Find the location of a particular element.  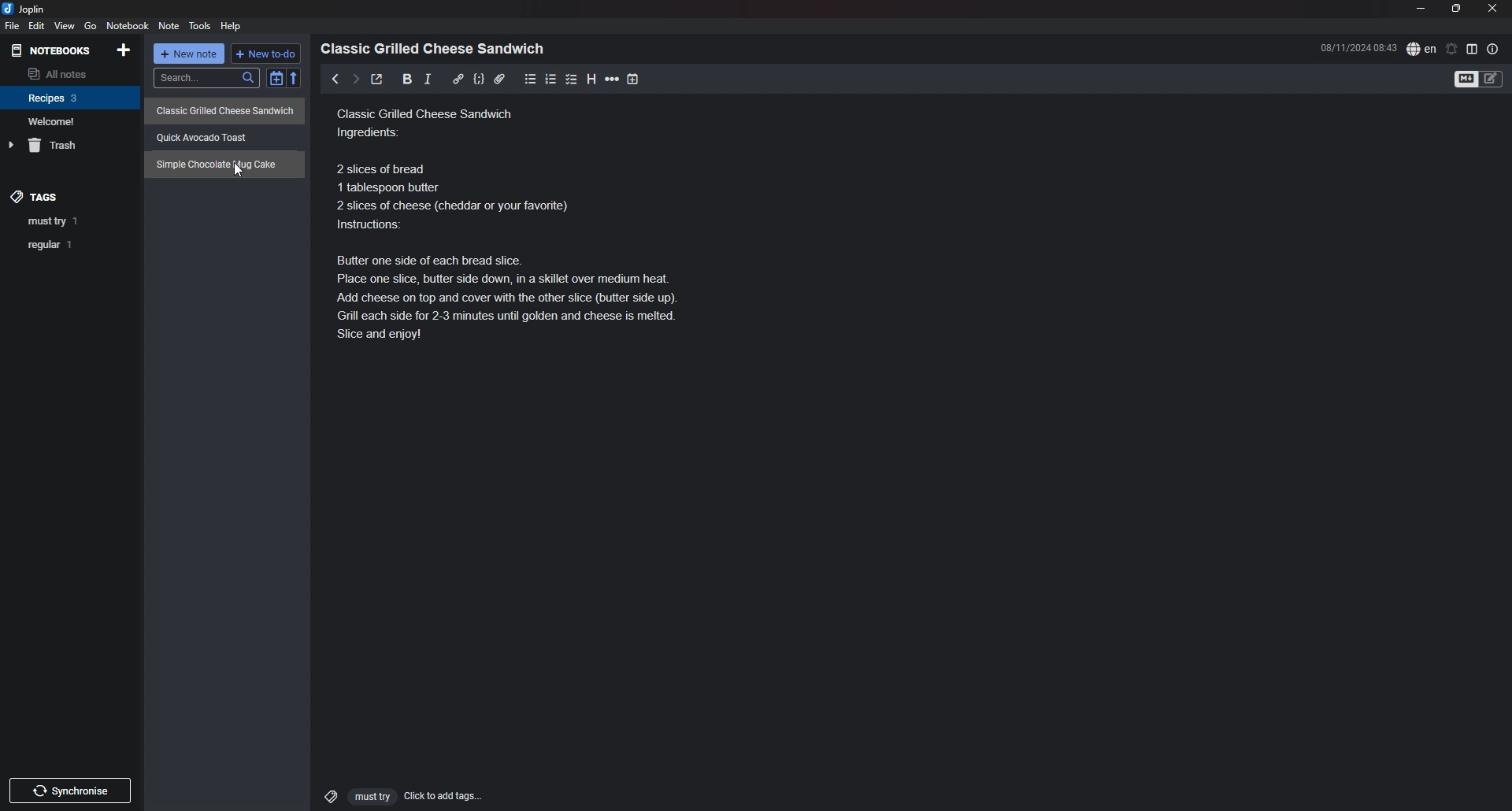

toggle editor layout is located at coordinates (1473, 49).